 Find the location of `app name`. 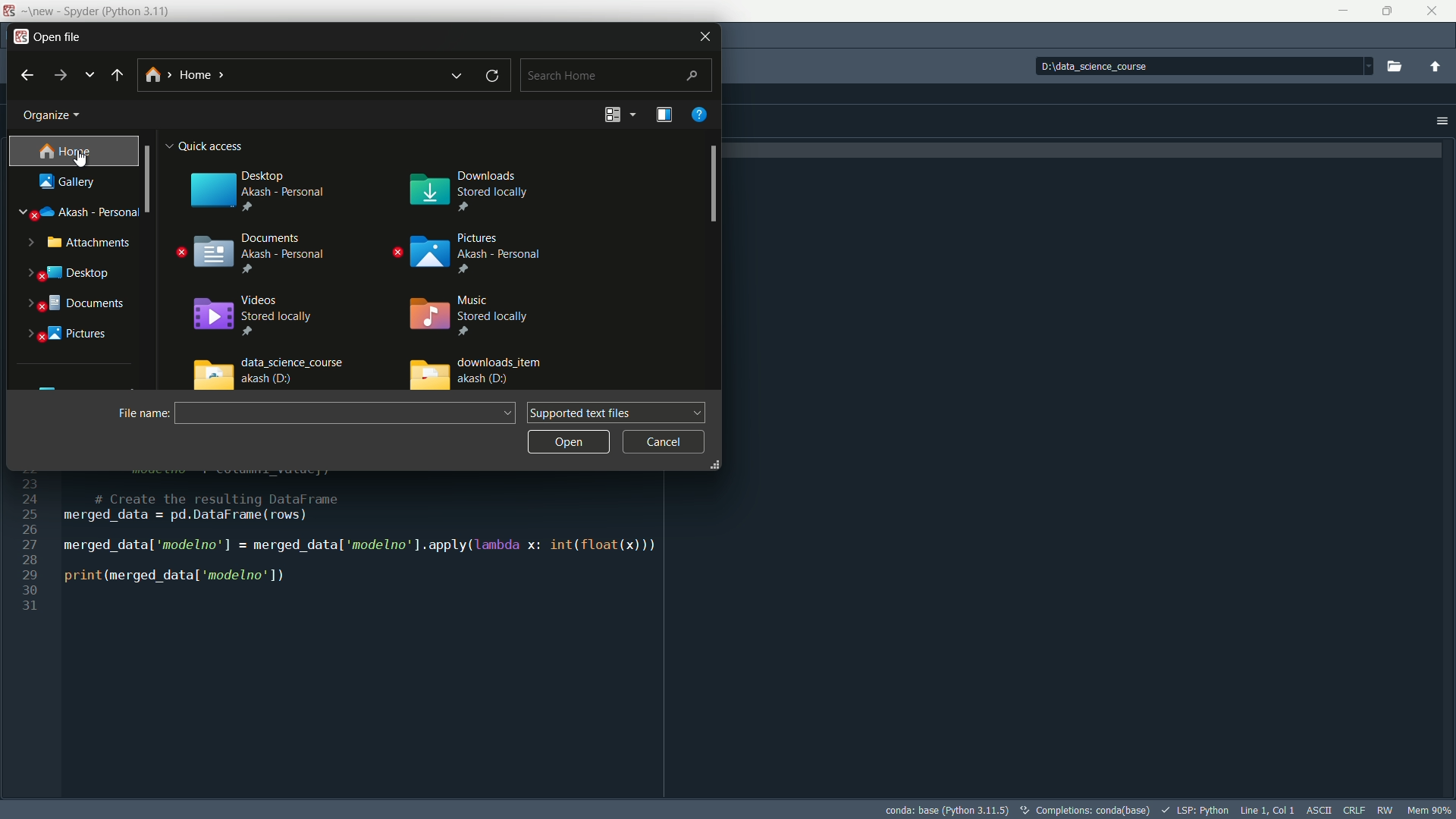

app name is located at coordinates (117, 10).